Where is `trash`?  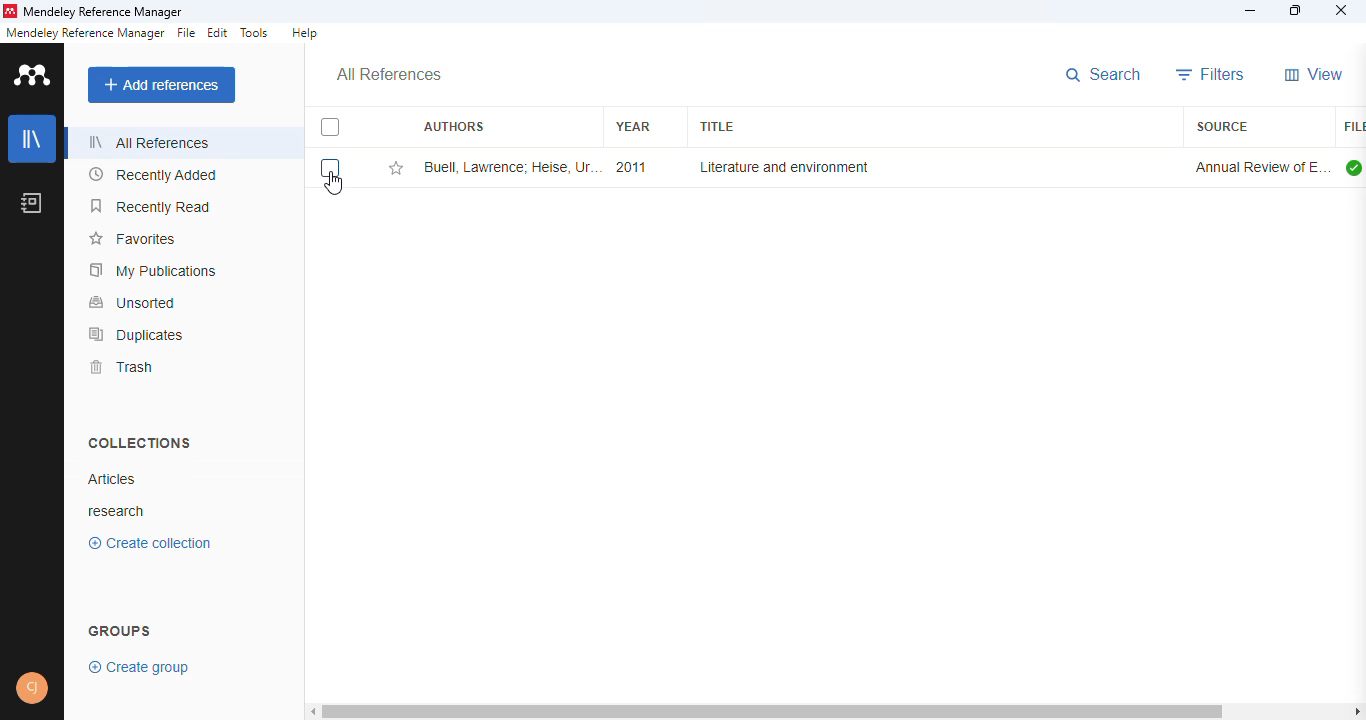 trash is located at coordinates (122, 367).